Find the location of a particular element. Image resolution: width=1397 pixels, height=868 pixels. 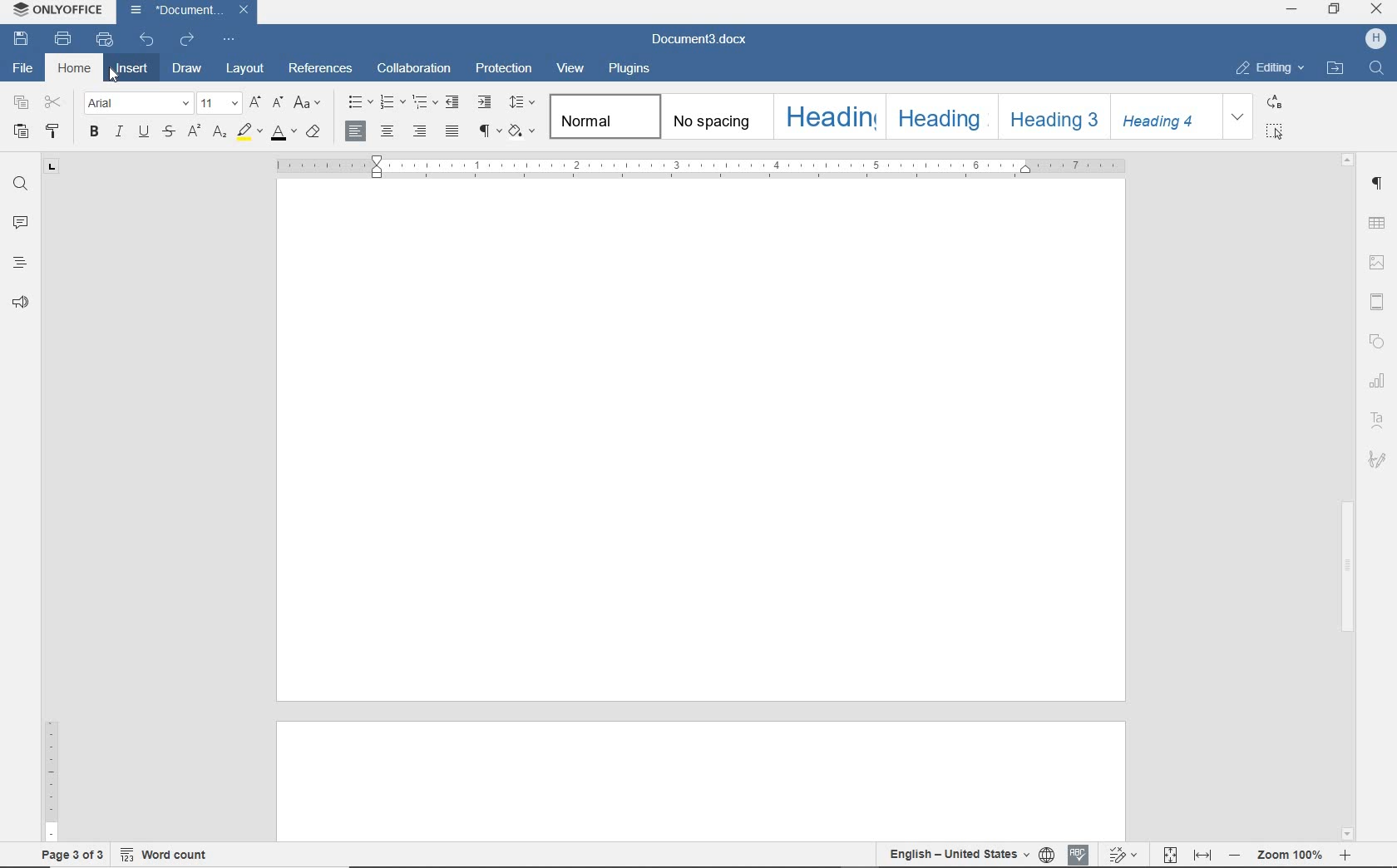

PROTECTION is located at coordinates (504, 69).